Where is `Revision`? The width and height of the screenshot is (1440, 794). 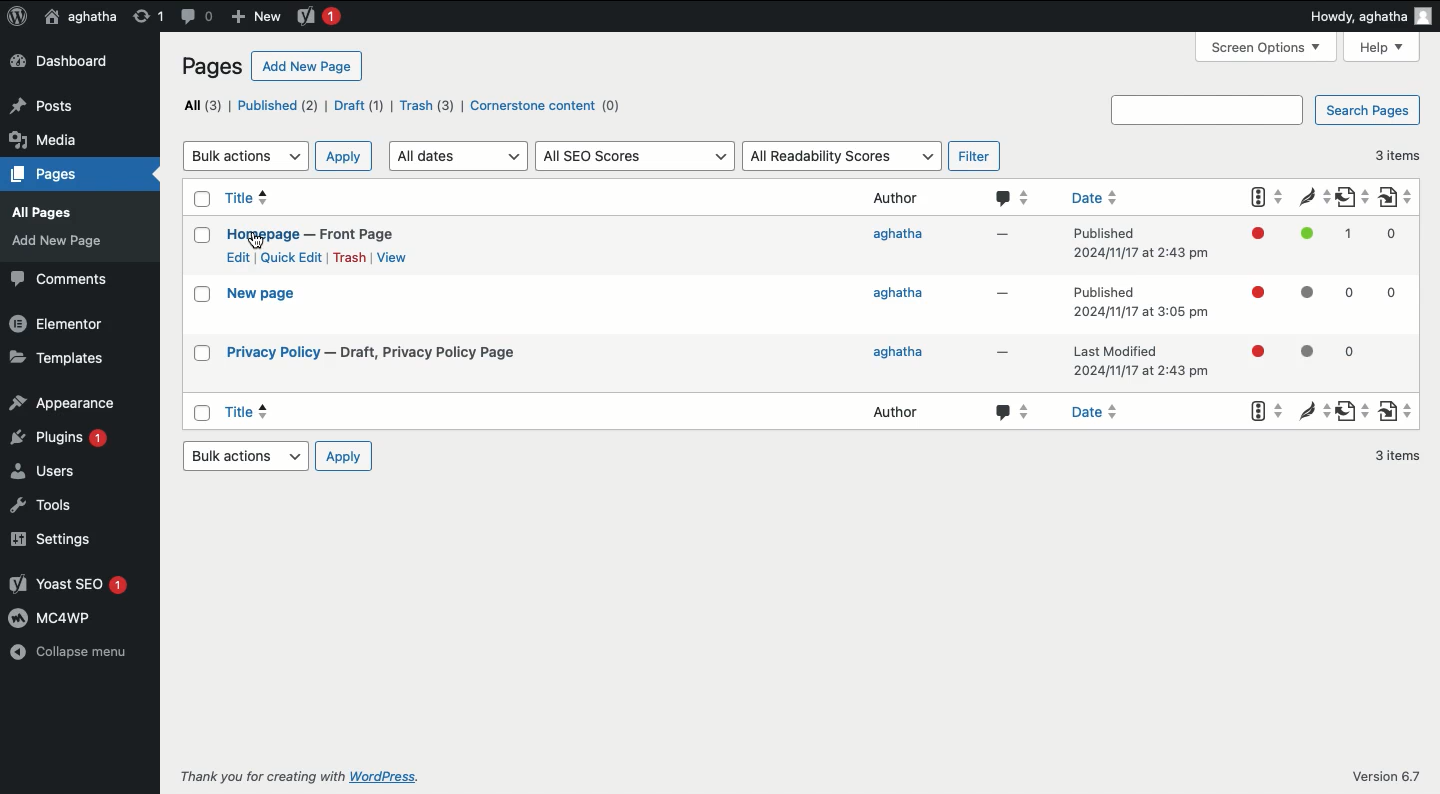 Revision is located at coordinates (144, 16).